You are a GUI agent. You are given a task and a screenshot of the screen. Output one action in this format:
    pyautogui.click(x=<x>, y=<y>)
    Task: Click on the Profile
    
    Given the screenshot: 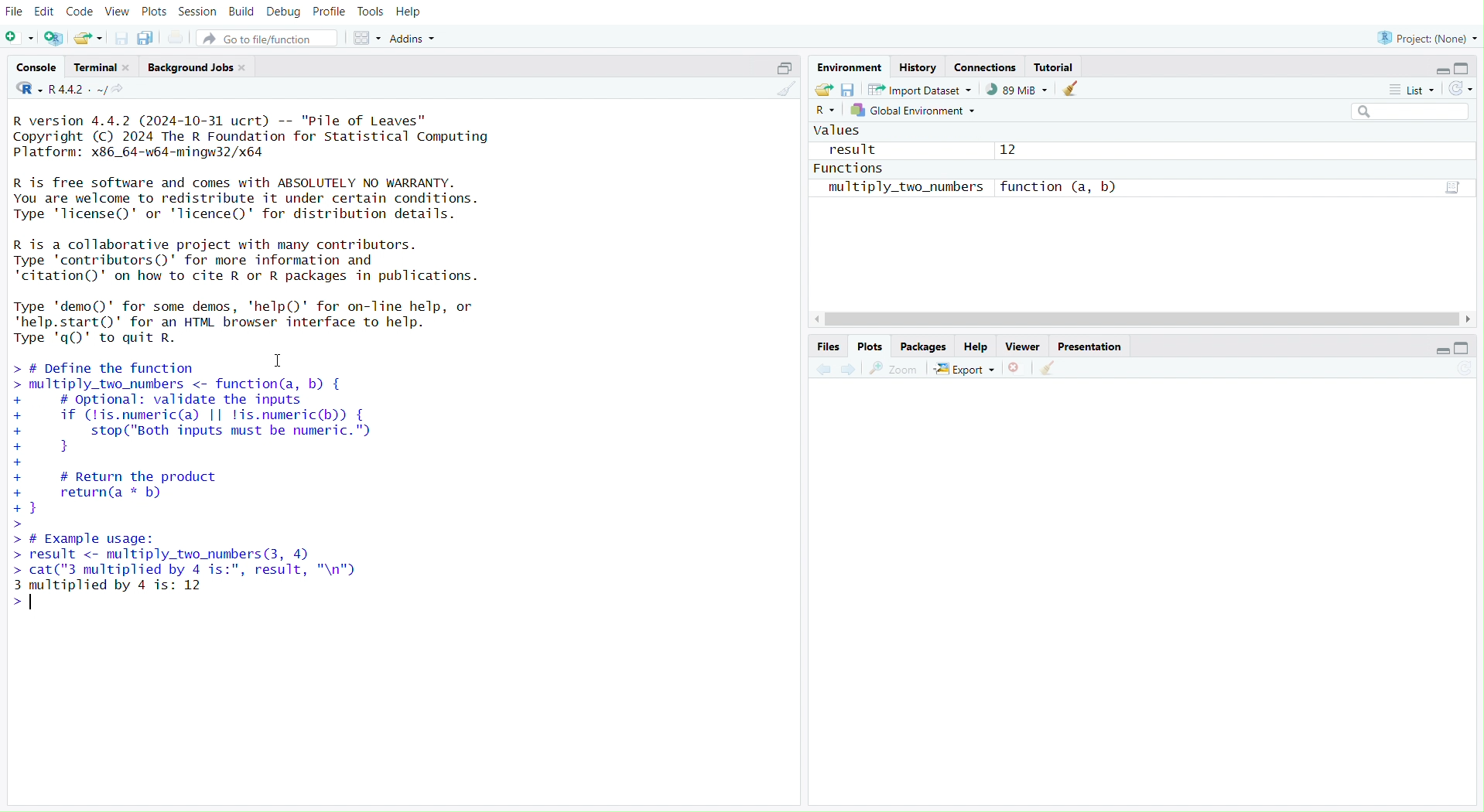 What is the action you would take?
    pyautogui.click(x=327, y=14)
    